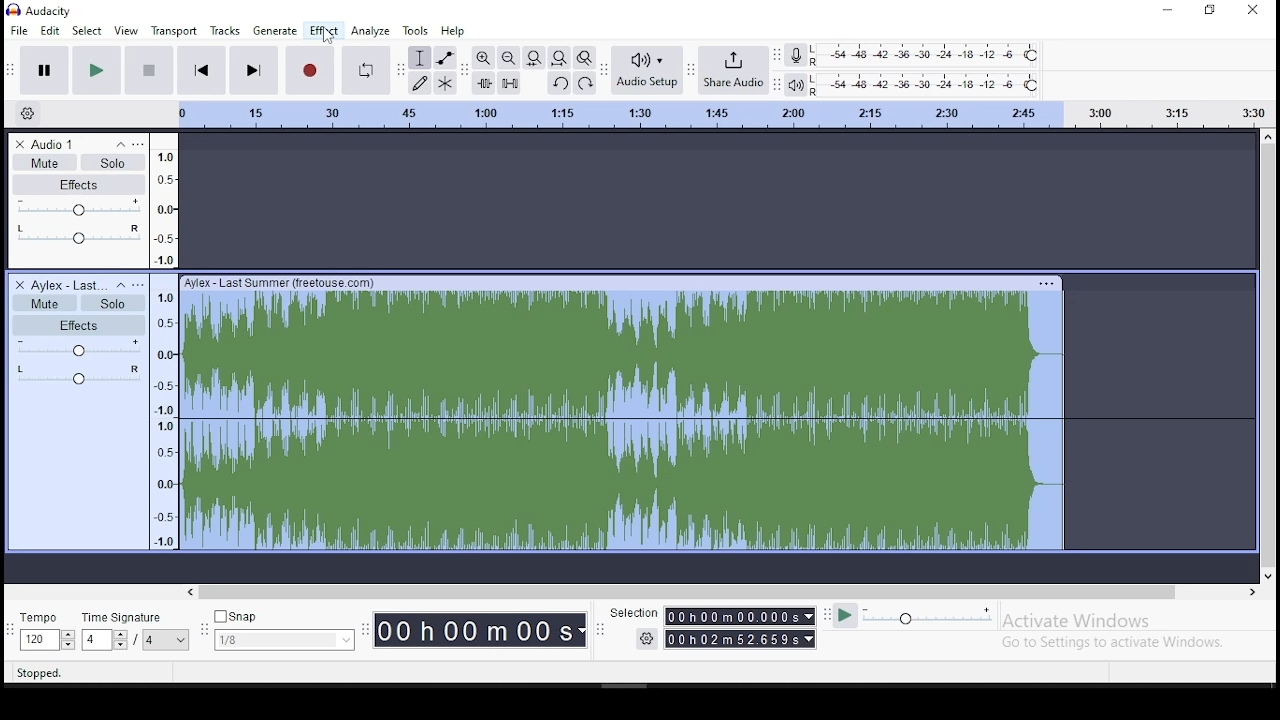 The image size is (1280, 720). I want to click on audio setup, so click(647, 69).